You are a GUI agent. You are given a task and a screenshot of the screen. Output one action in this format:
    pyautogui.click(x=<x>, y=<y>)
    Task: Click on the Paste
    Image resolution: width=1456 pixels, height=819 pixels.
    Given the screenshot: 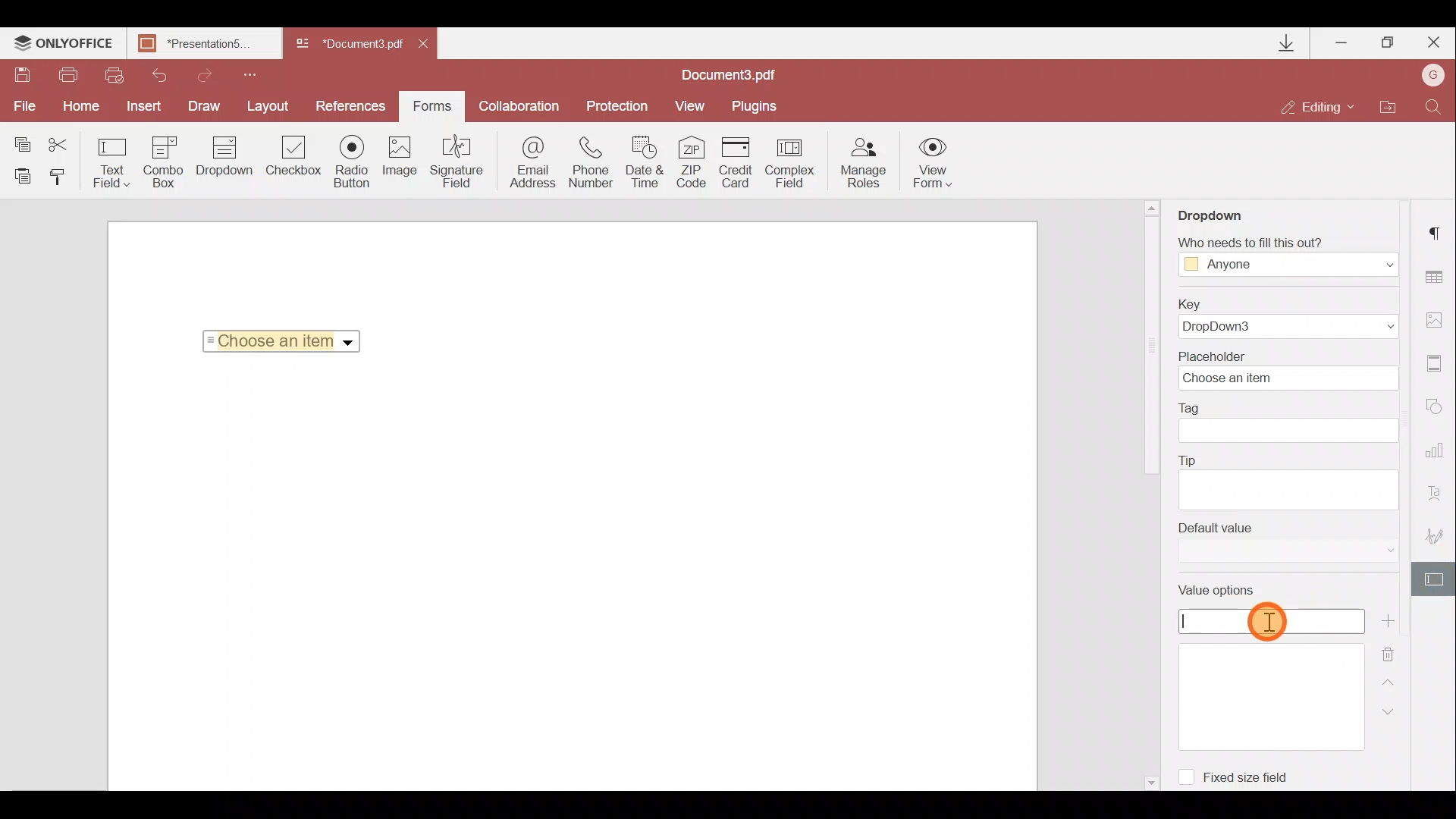 What is the action you would take?
    pyautogui.click(x=21, y=178)
    